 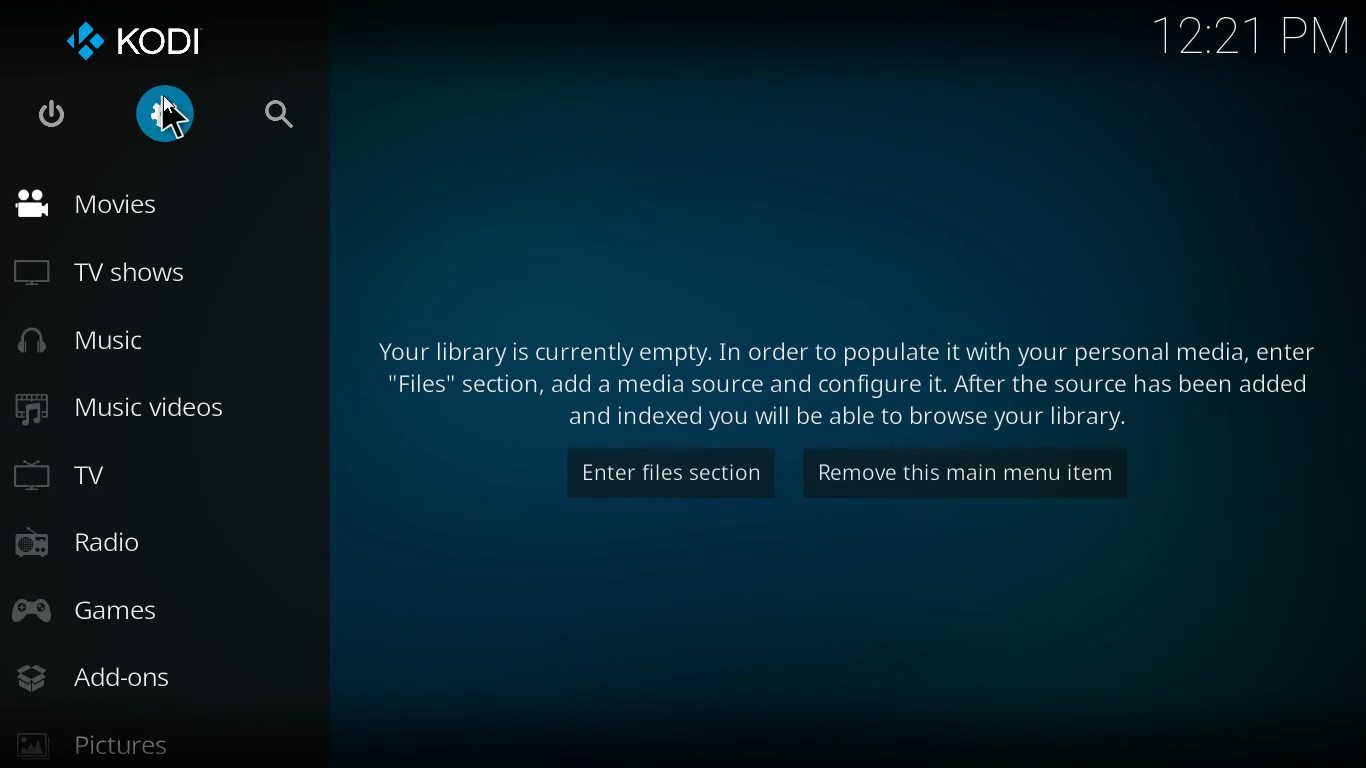 I want to click on music videos, so click(x=157, y=409).